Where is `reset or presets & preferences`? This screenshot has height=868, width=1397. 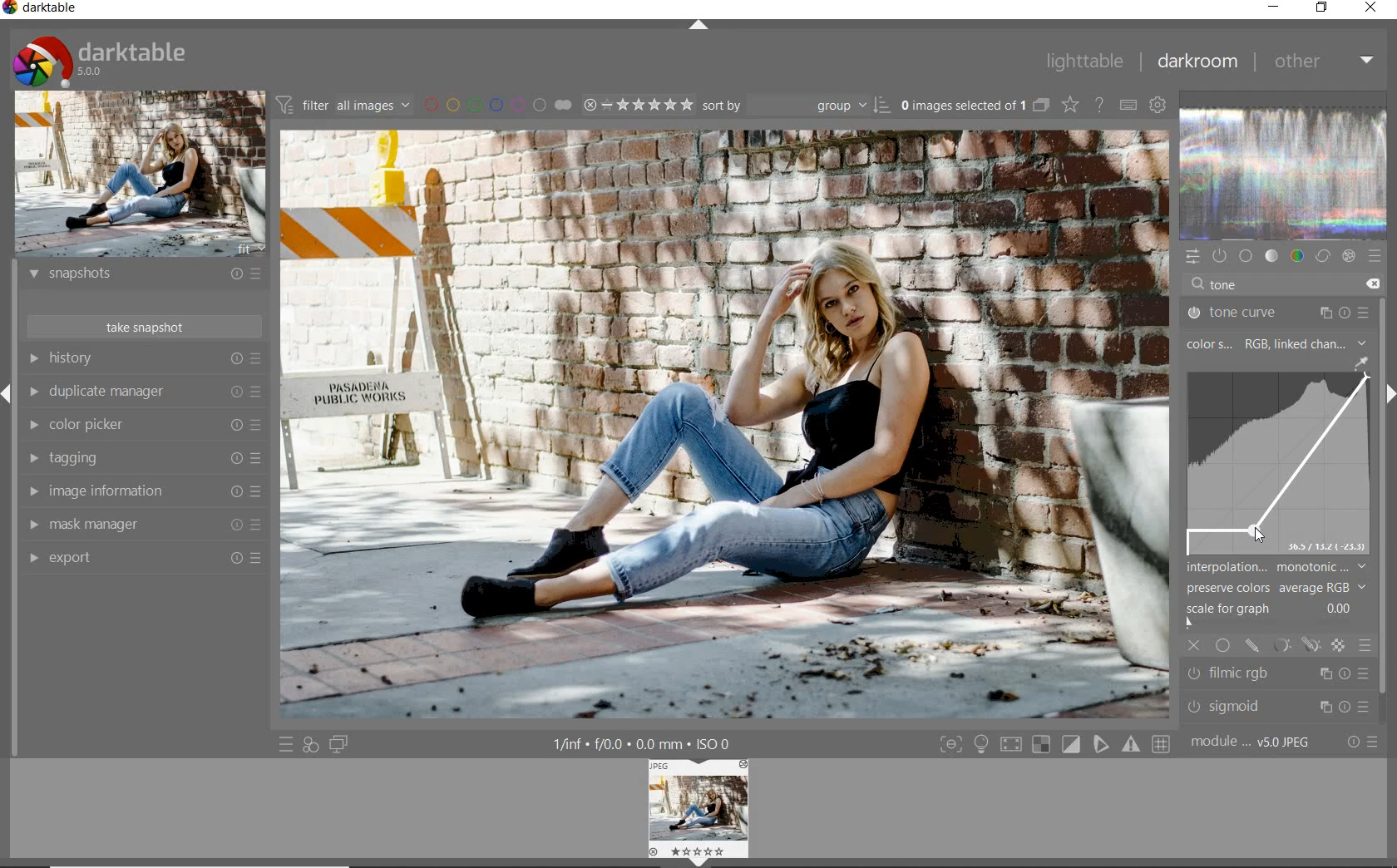 reset or presets & preferences is located at coordinates (1360, 742).